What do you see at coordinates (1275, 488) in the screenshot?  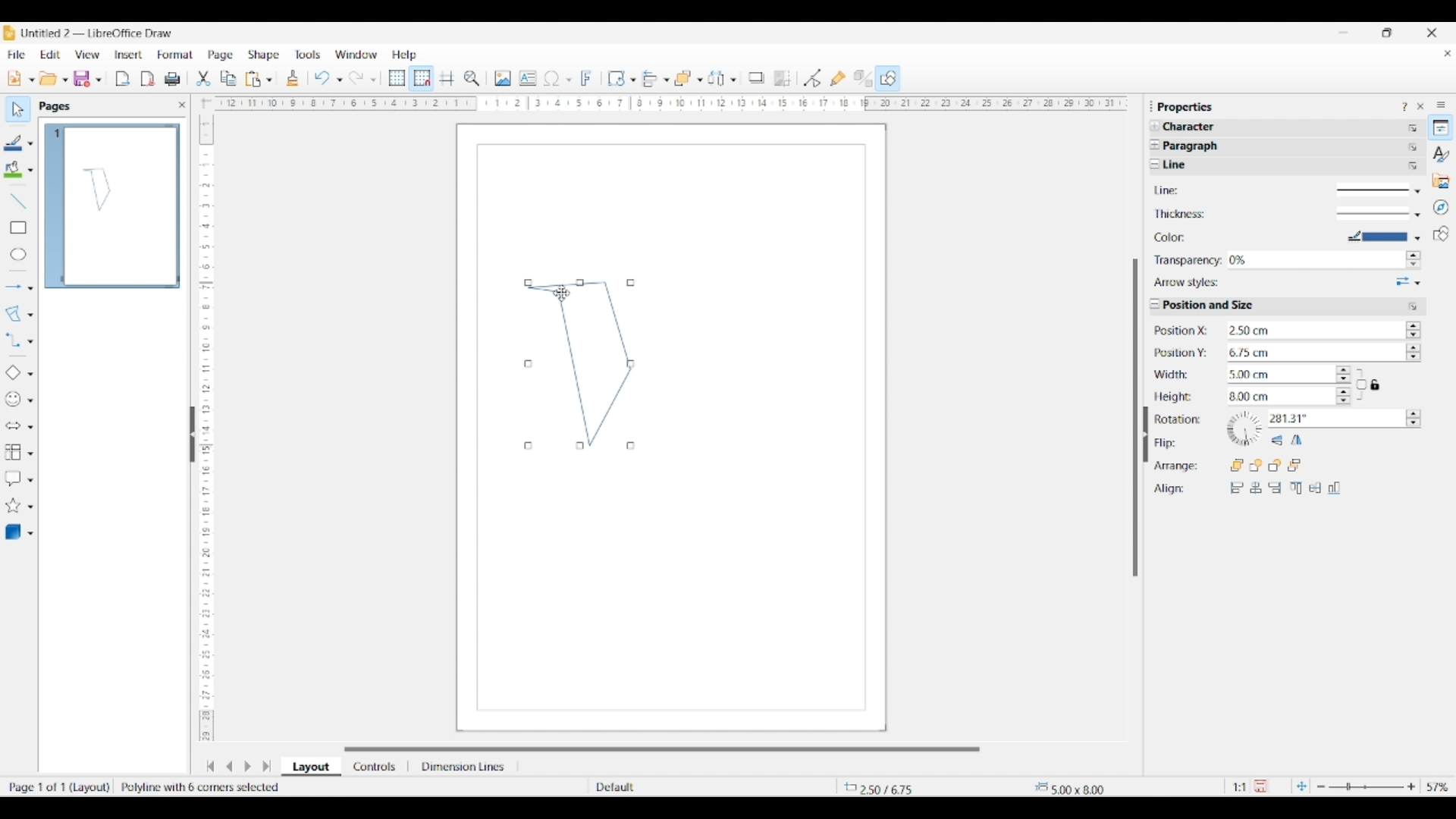 I see `Align right` at bounding box center [1275, 488].